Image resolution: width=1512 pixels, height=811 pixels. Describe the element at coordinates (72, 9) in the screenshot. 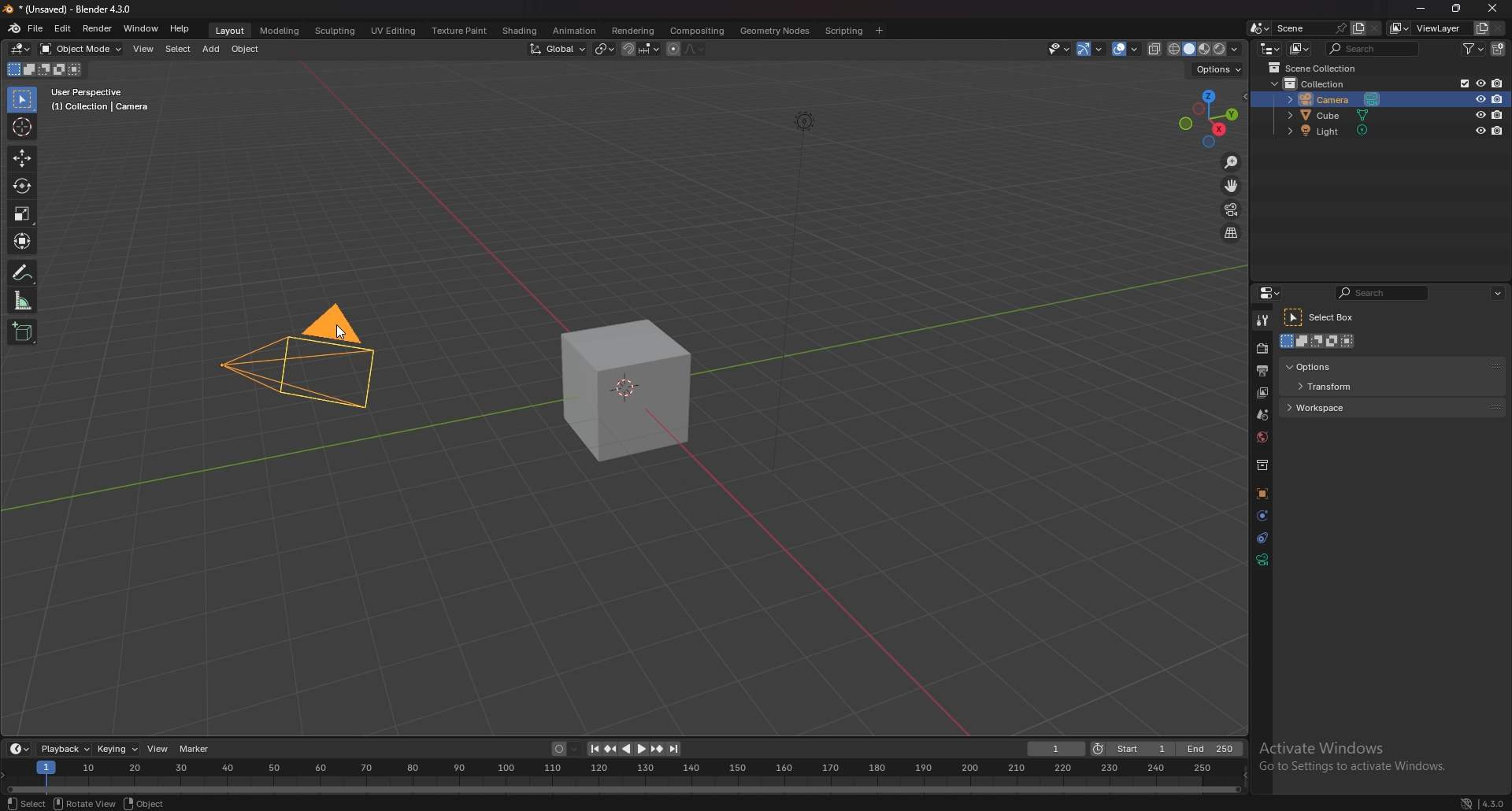

I see `title` at that location.